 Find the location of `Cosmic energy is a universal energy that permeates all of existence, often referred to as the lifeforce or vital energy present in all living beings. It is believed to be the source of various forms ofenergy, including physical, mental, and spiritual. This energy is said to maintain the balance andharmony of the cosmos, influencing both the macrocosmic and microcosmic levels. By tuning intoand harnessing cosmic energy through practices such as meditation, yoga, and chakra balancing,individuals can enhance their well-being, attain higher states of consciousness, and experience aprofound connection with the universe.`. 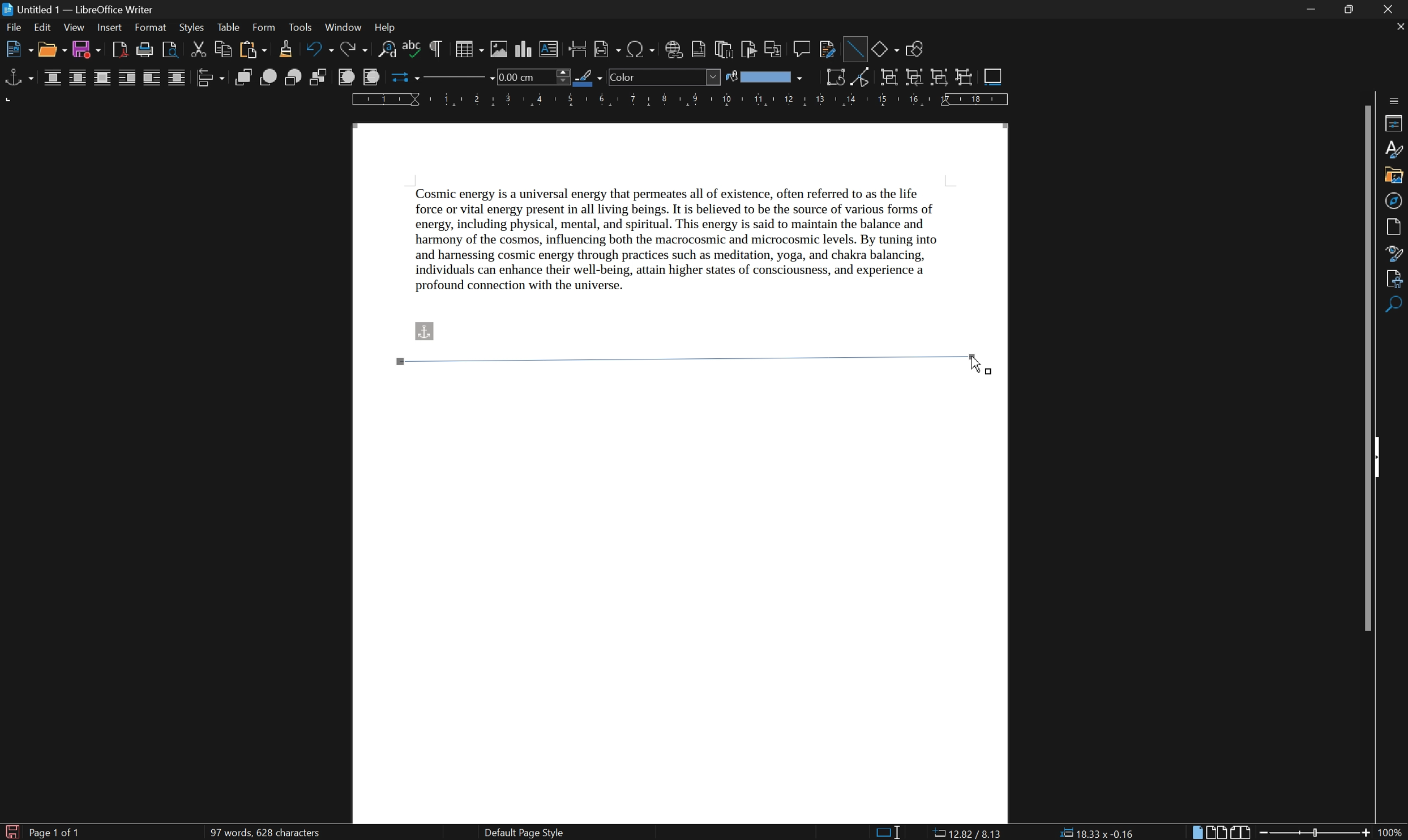

Cosmic energy is a universal energy that permeates all of existence, often referred to as the lifeforce or vital energy present in all living beings. It is believed to be the source of various forms ofenergy, including physical, mental, and spiritual. This energy is said to maintain the balance andharmony of the cosmos, influencing both the macrocosmic and microcosmic levels. By tuning intoand harnessing cosmic energy through practices such as meditation, yoga, and chakra balancing,individuals can enhance their well-being, attain higher states of consciousness, and experience aprofound connection with the universe. is located at coordinates (697, 246).